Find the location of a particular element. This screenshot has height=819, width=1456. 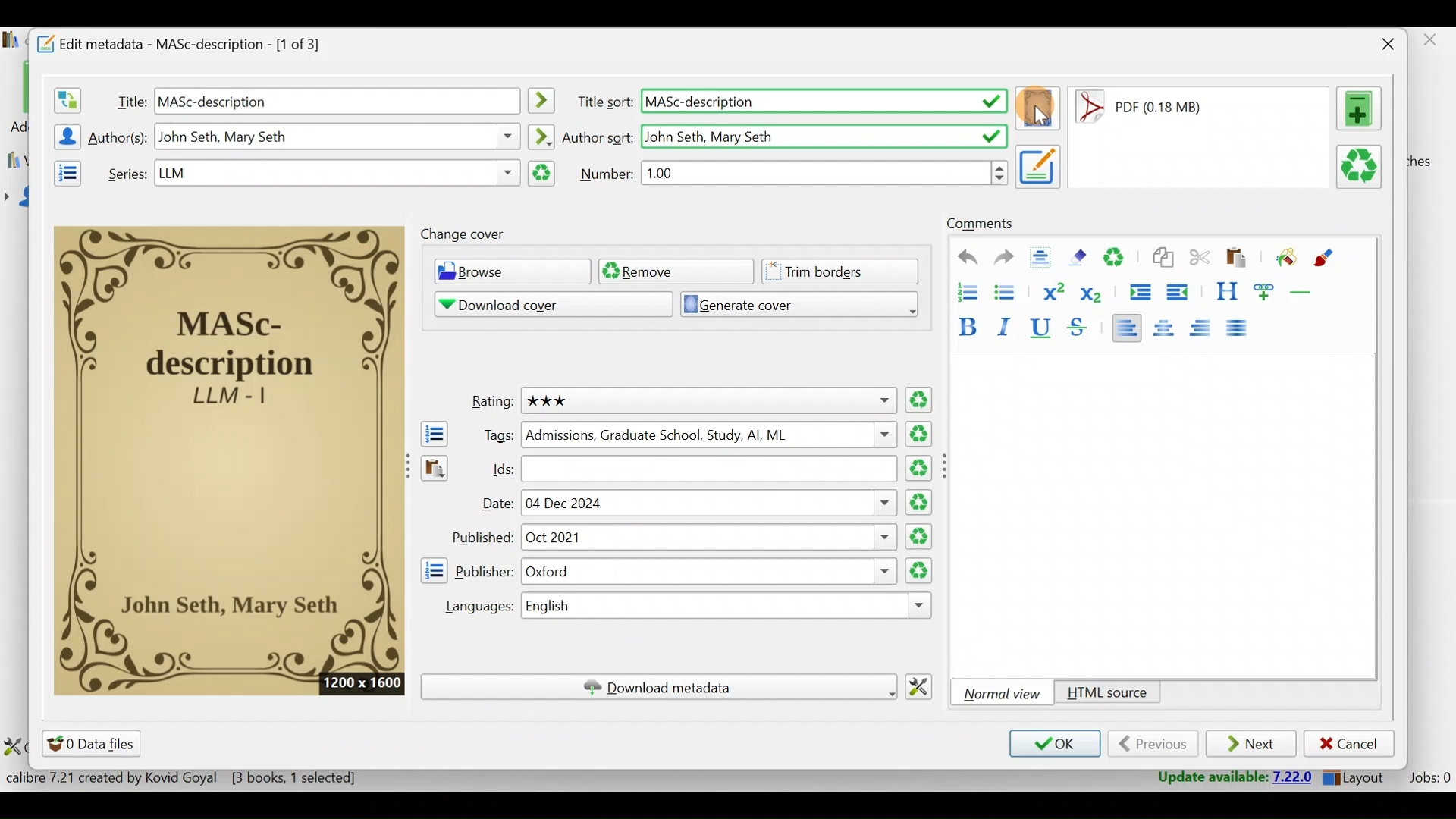

HTML source is located at coordinates (1107, 694).